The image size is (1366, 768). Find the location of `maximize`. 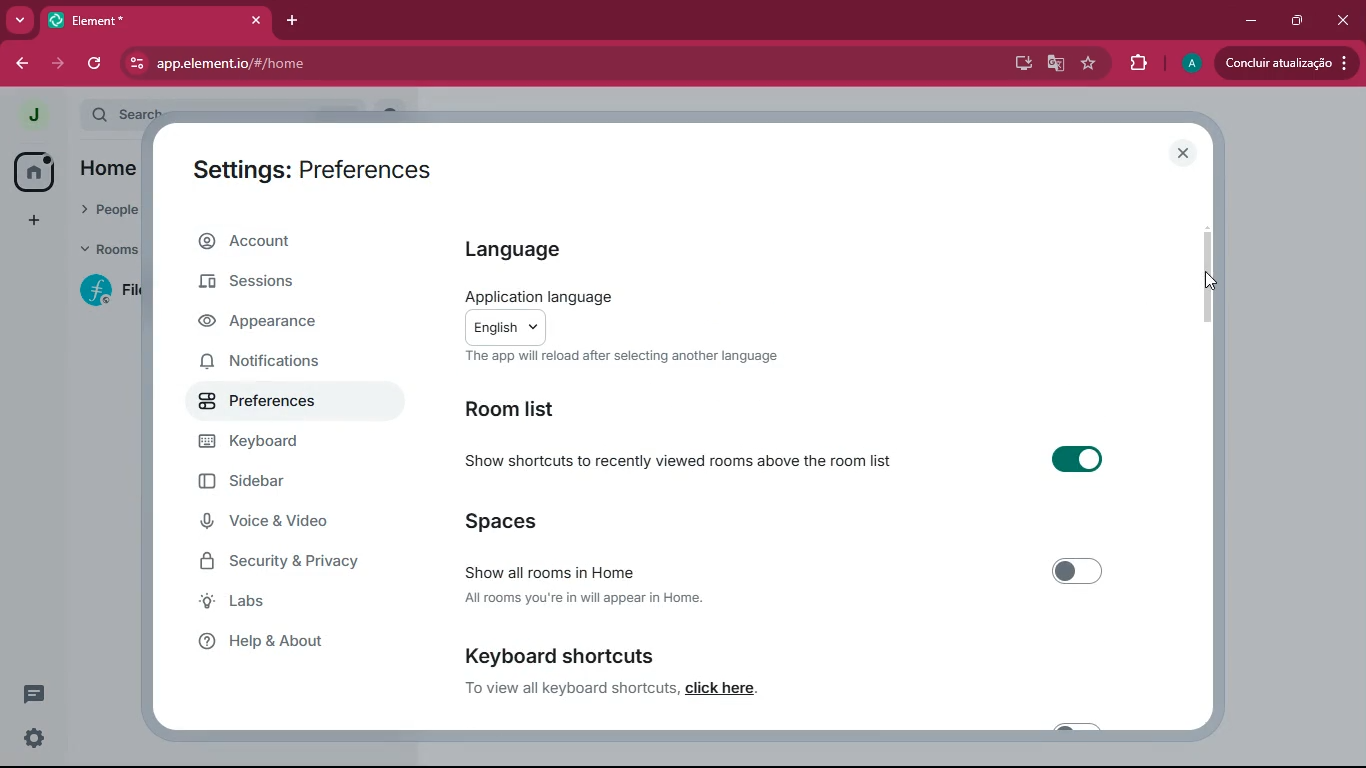

maximize is located at coordinates (1293, 21).